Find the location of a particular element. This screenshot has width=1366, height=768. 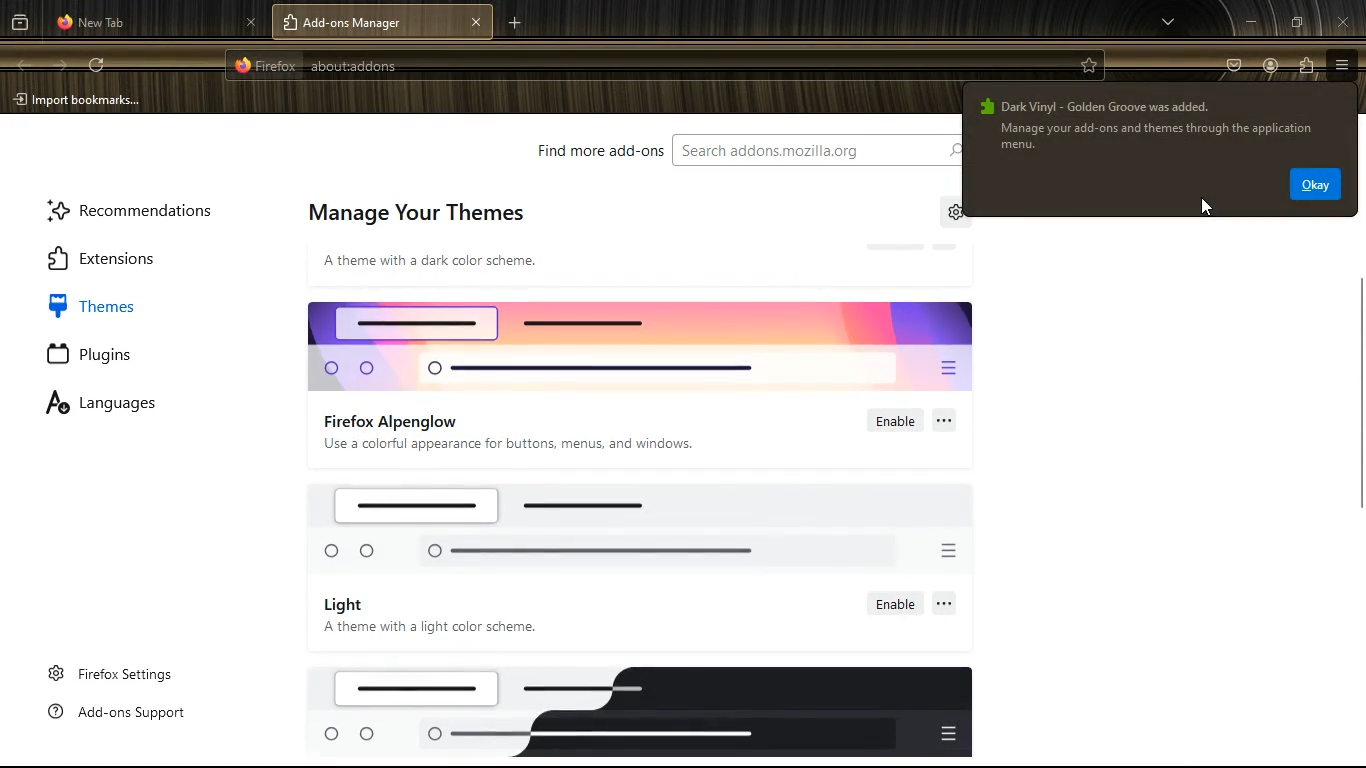

Theme is located at coordinates (642, 343).